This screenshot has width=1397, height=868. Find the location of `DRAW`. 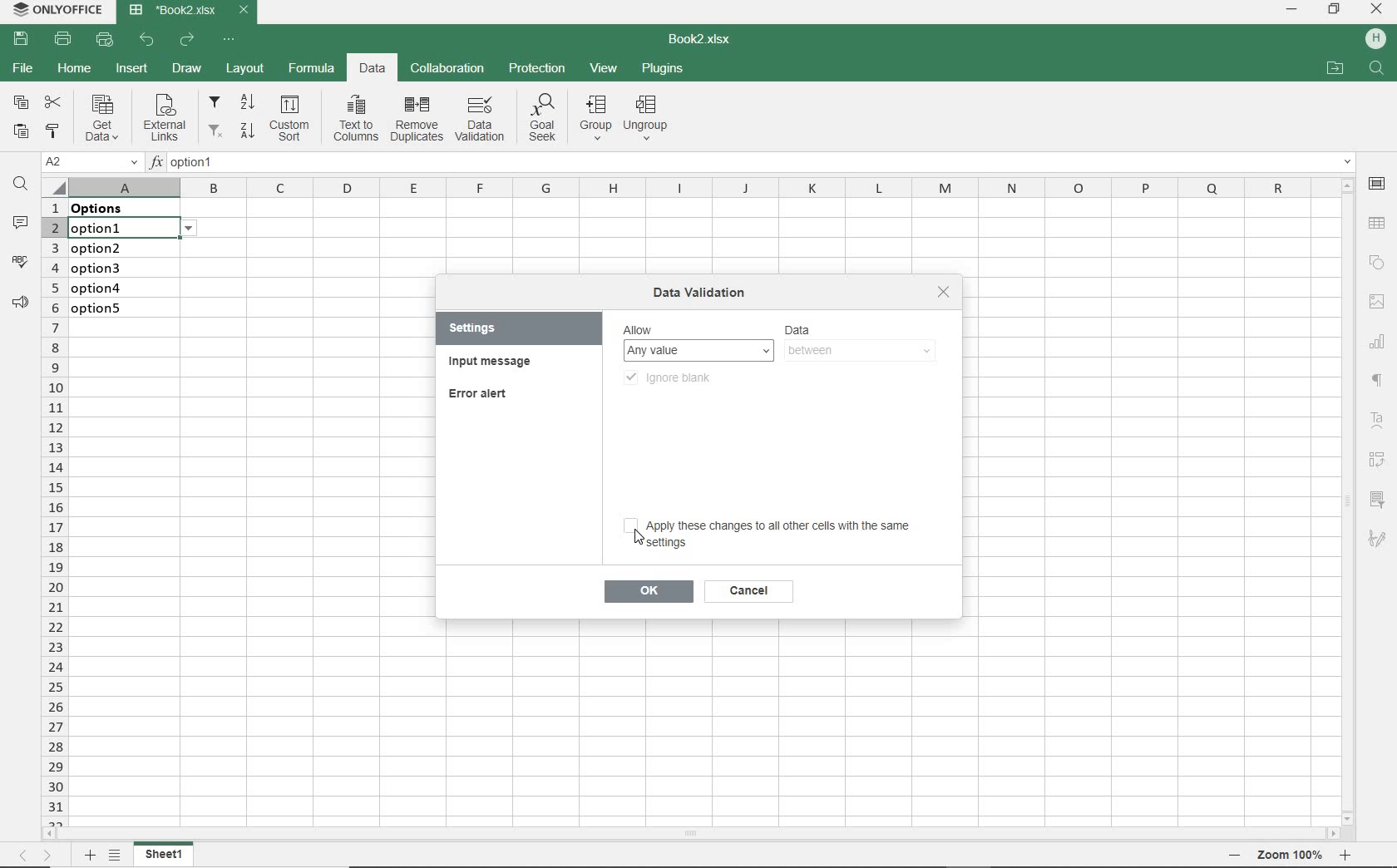

DRAW is located at coordinates (187, 68).